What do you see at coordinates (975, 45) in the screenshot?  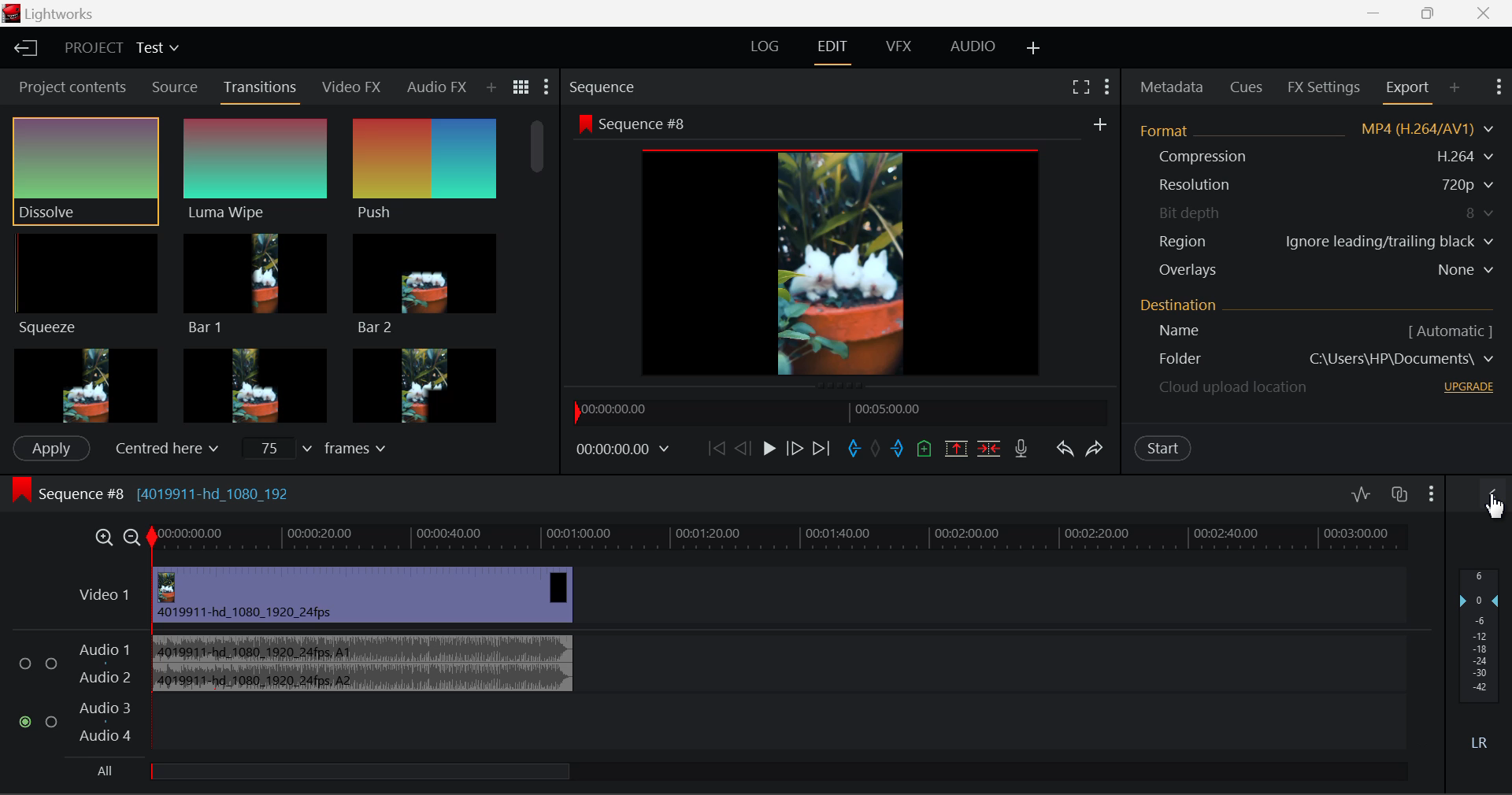 I see `AUDIO Layout` at bounding box center [975, 45].